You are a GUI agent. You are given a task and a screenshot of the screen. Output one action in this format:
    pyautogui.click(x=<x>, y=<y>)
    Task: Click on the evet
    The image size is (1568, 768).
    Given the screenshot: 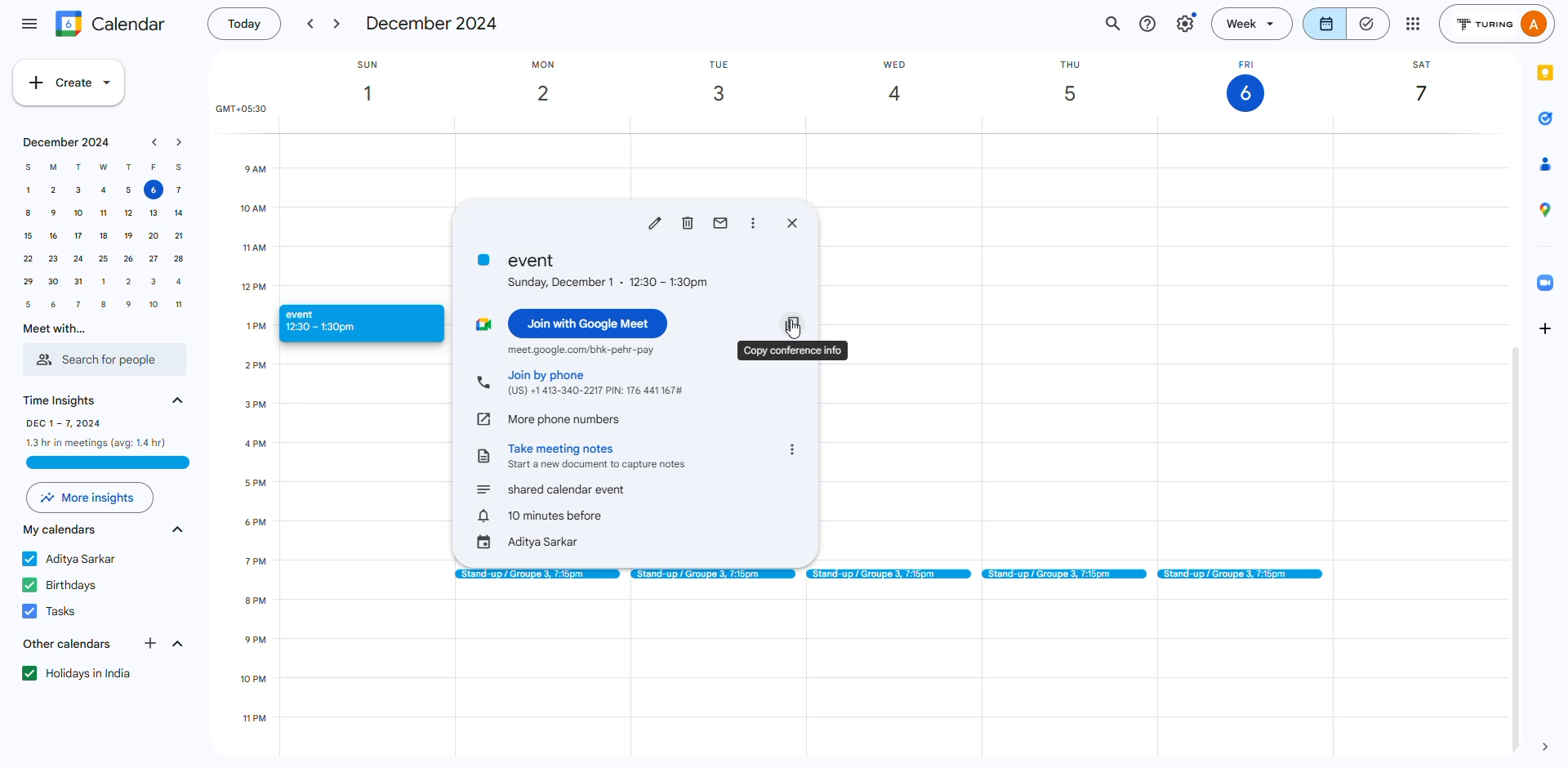 What is the action you would take?
    pyautogui.click(x=595, y=270)
    